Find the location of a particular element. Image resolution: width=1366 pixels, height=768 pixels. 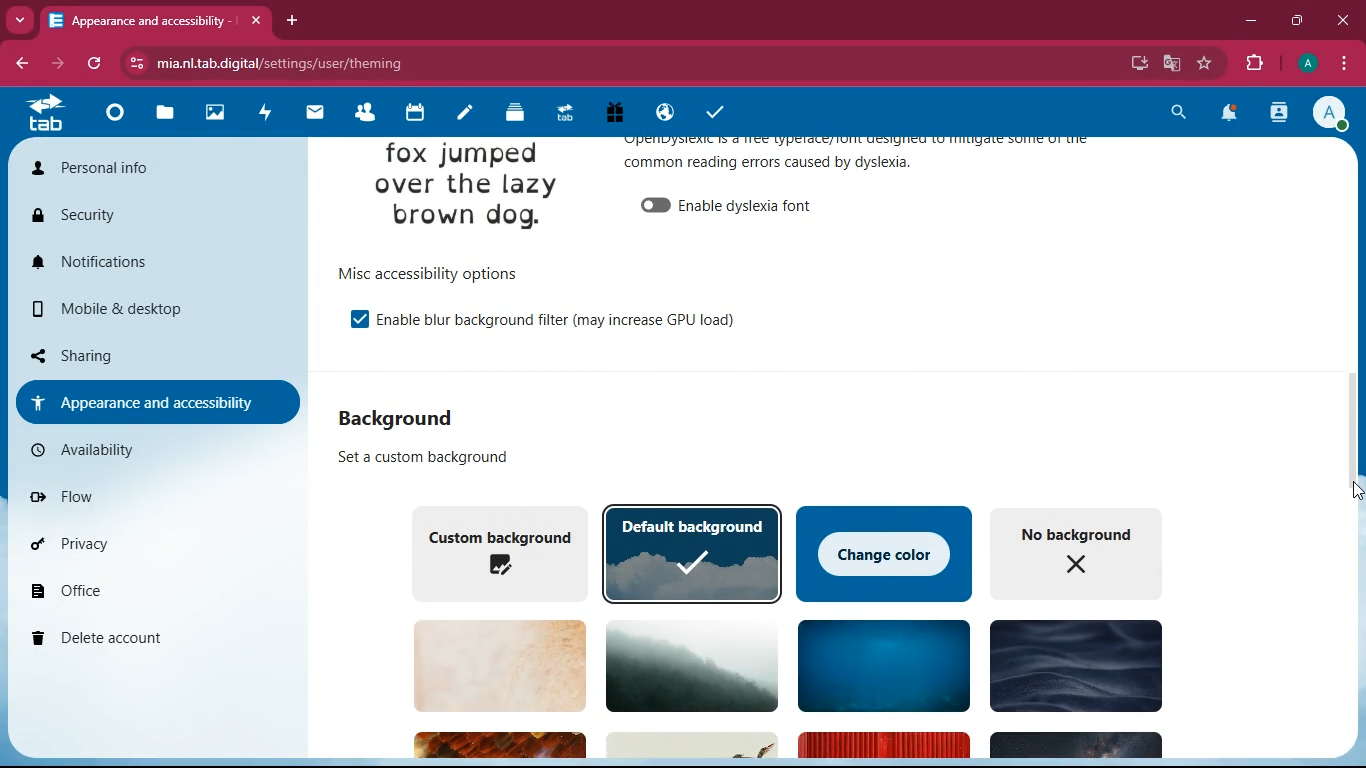

custom is located at coordinates (495, 552).